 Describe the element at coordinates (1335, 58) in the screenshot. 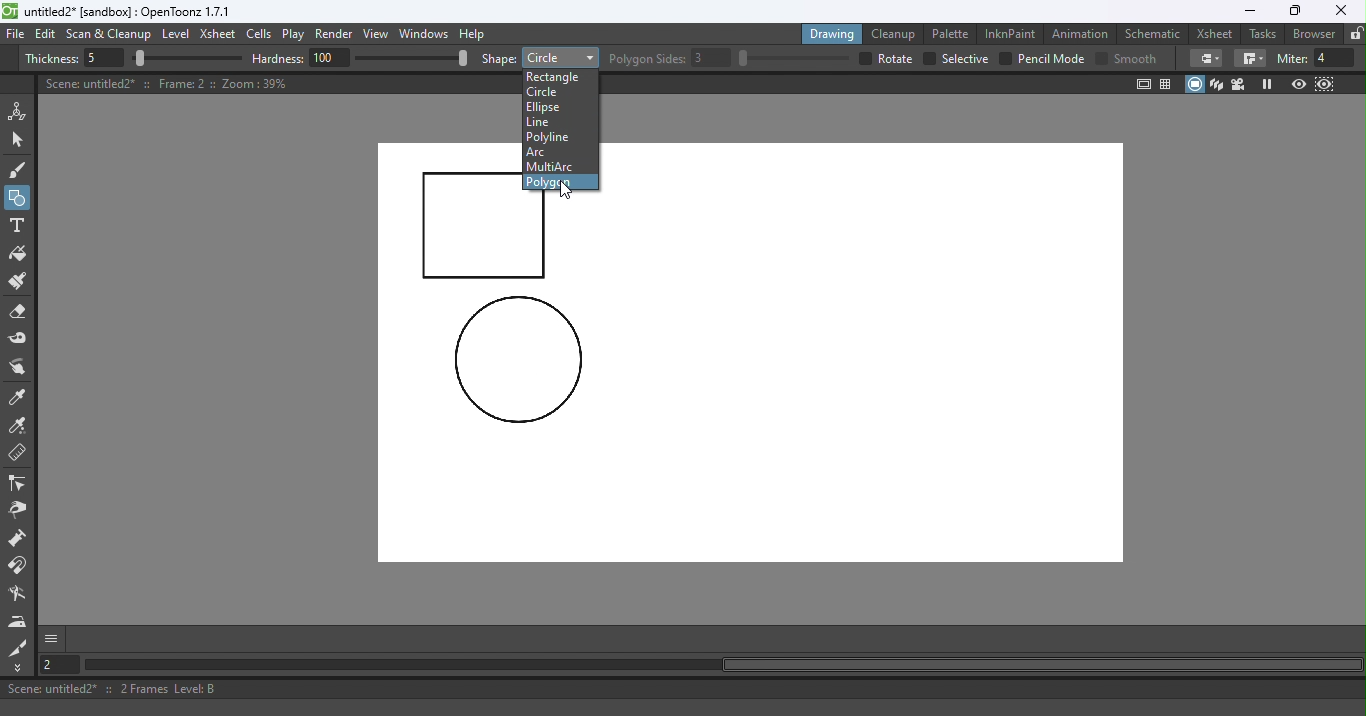

I see `4` at that location.